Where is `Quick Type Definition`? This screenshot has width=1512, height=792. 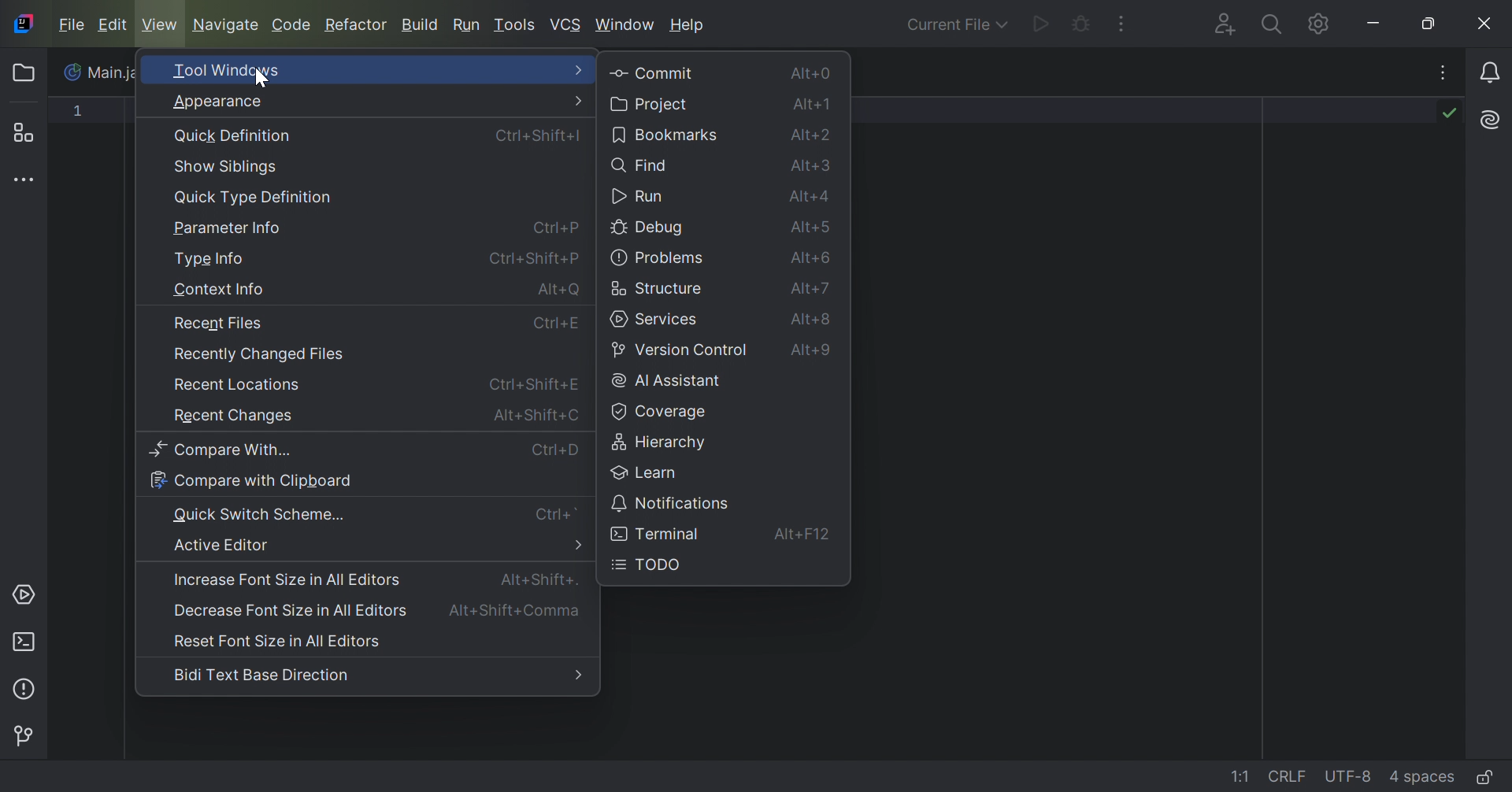 Quick Type Definition is located at coordinates (253, 198).